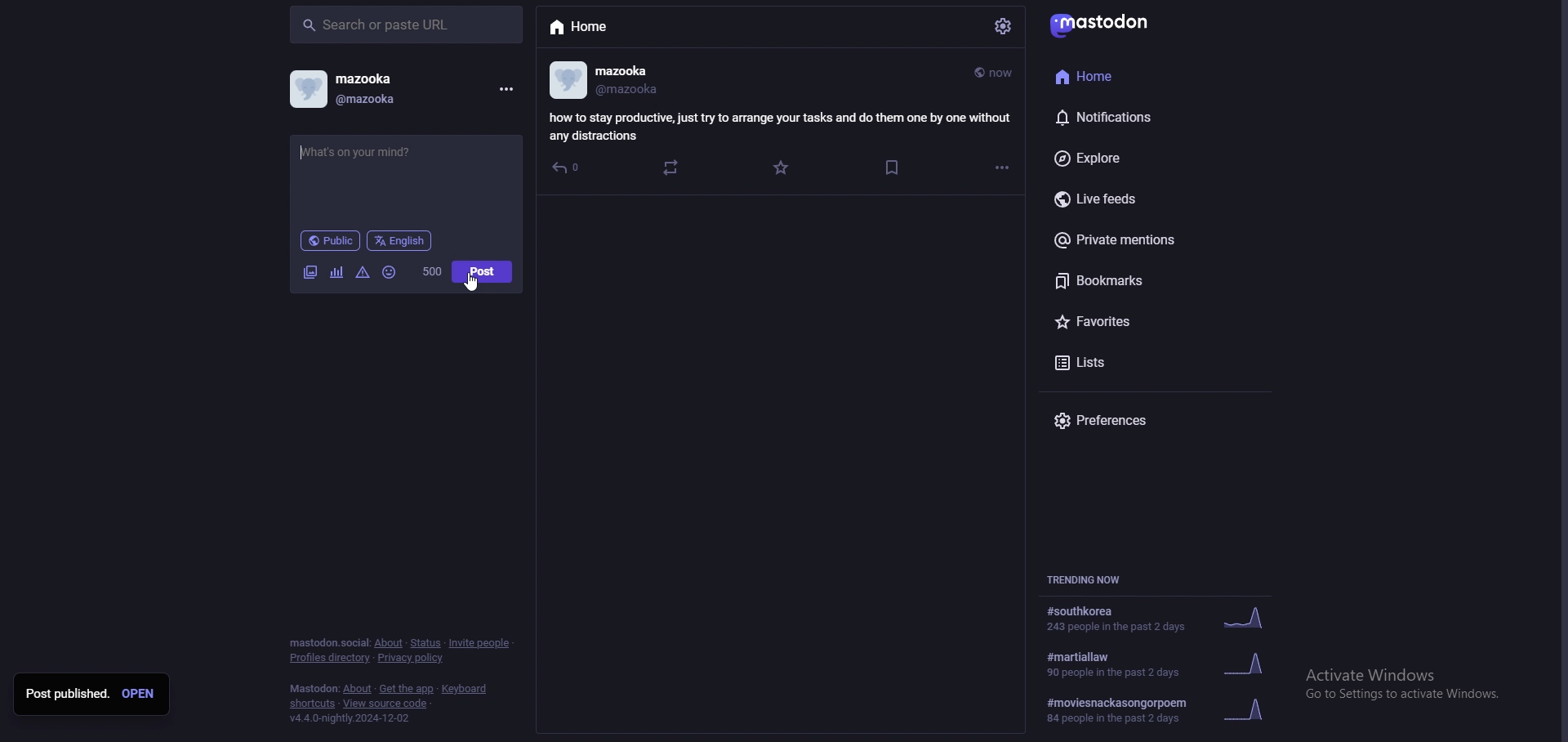 The image size is (1568, 742). I want to click on profile picture, so click(310, 88).